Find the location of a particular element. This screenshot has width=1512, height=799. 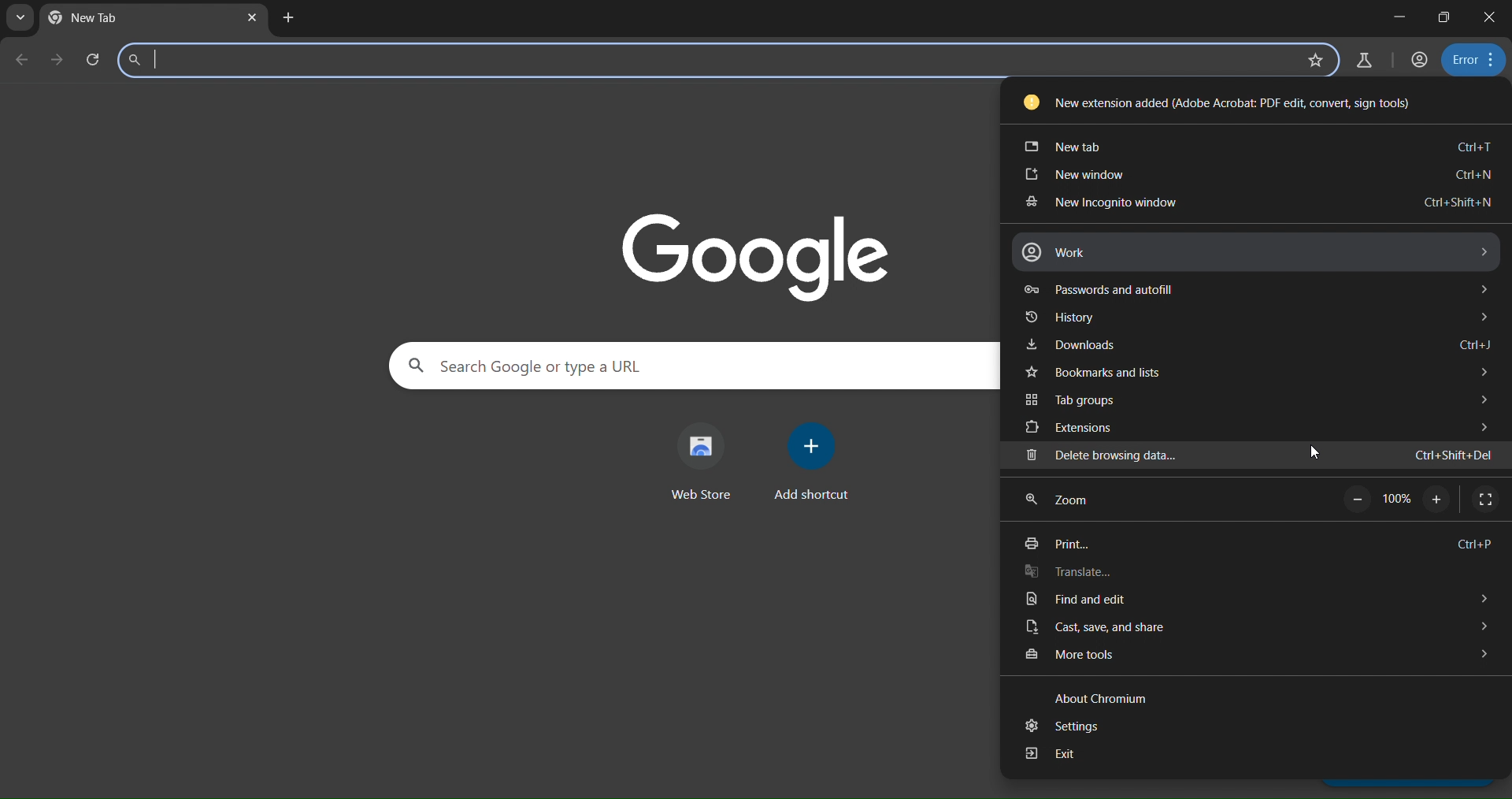

about chromium is located at coordinates (1106, 697).